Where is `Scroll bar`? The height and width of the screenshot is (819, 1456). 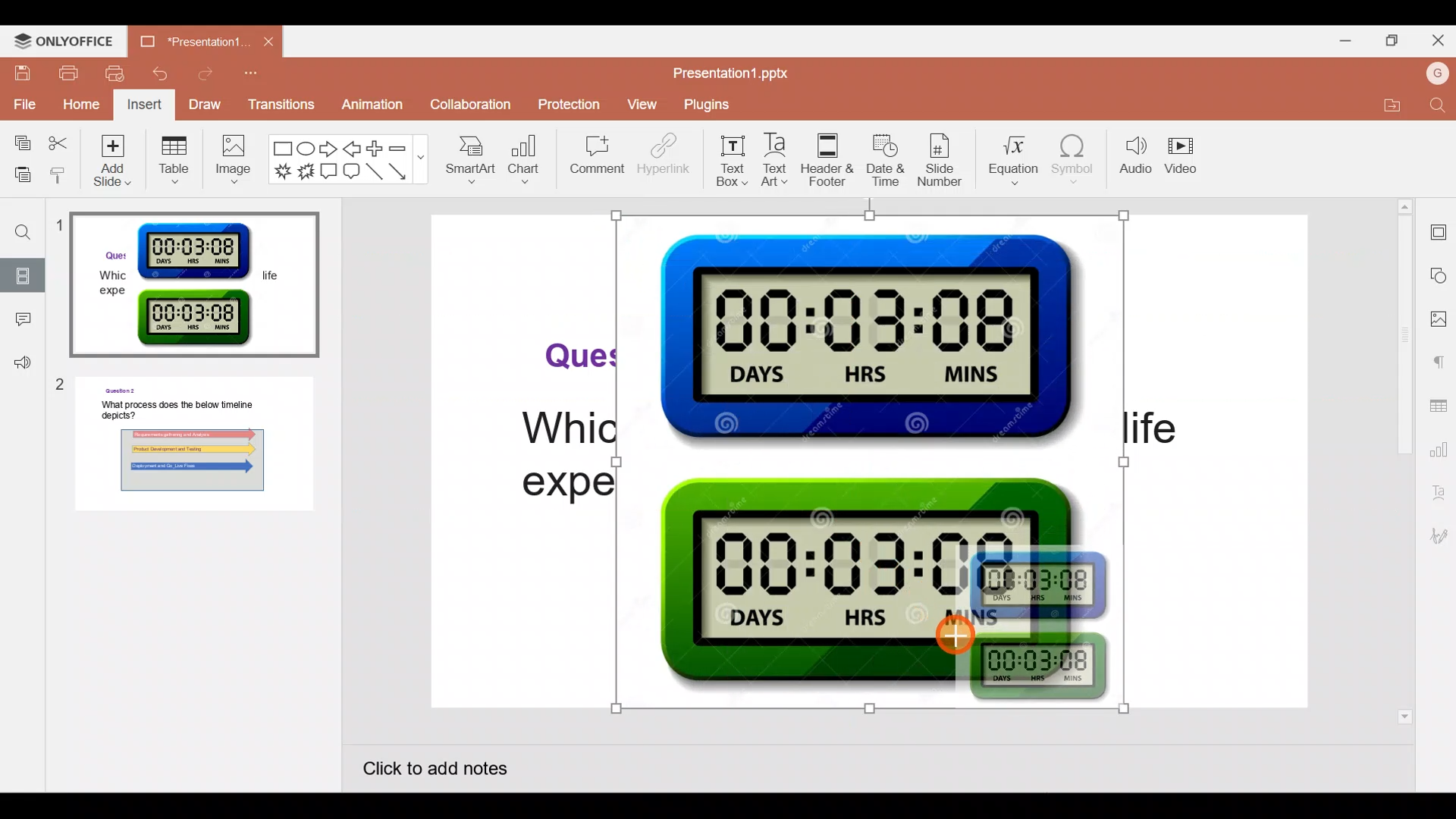
Scroll bar is located at coordinates (1407, 461).